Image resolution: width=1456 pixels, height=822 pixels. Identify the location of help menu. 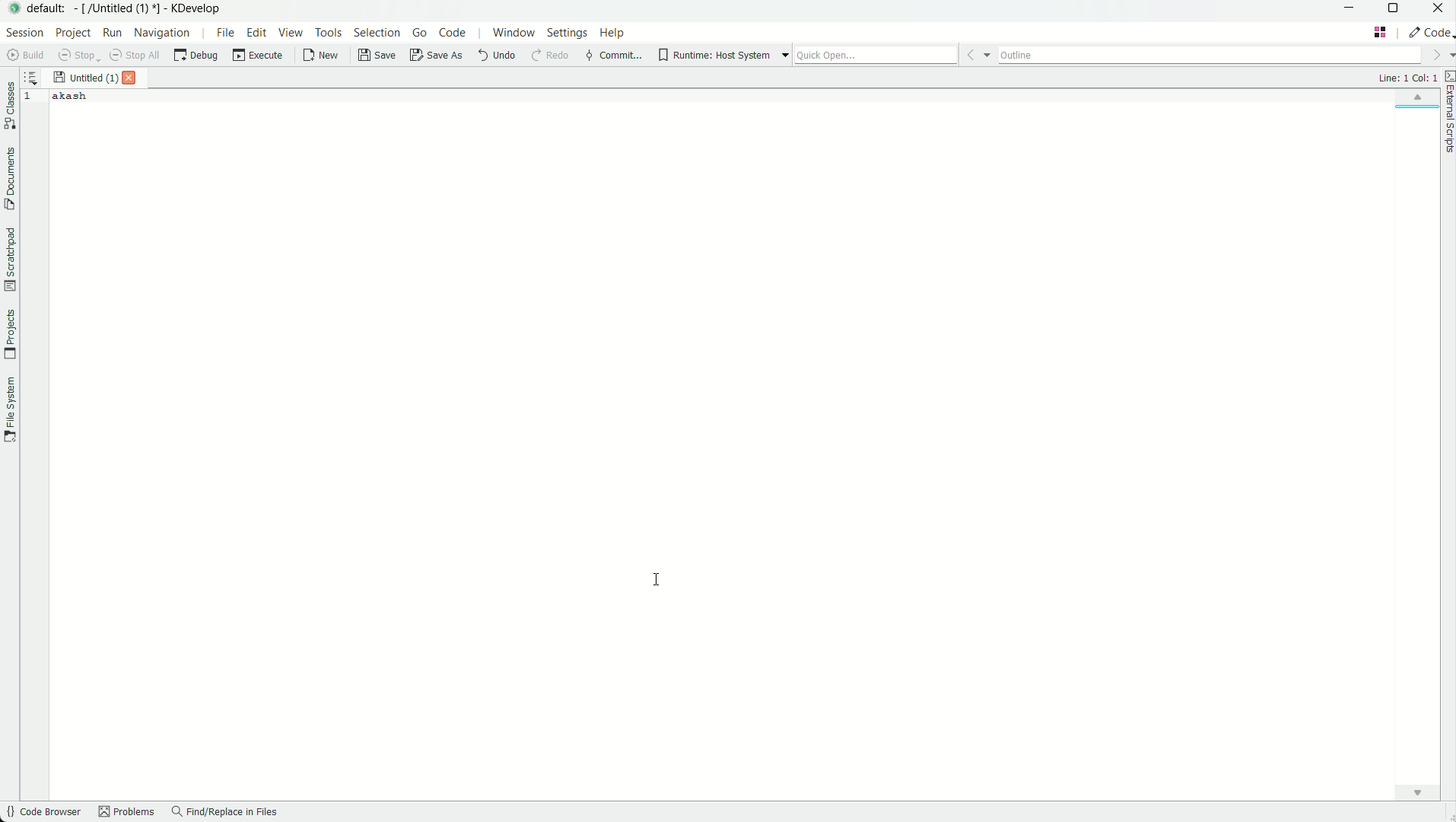
(614, 34).